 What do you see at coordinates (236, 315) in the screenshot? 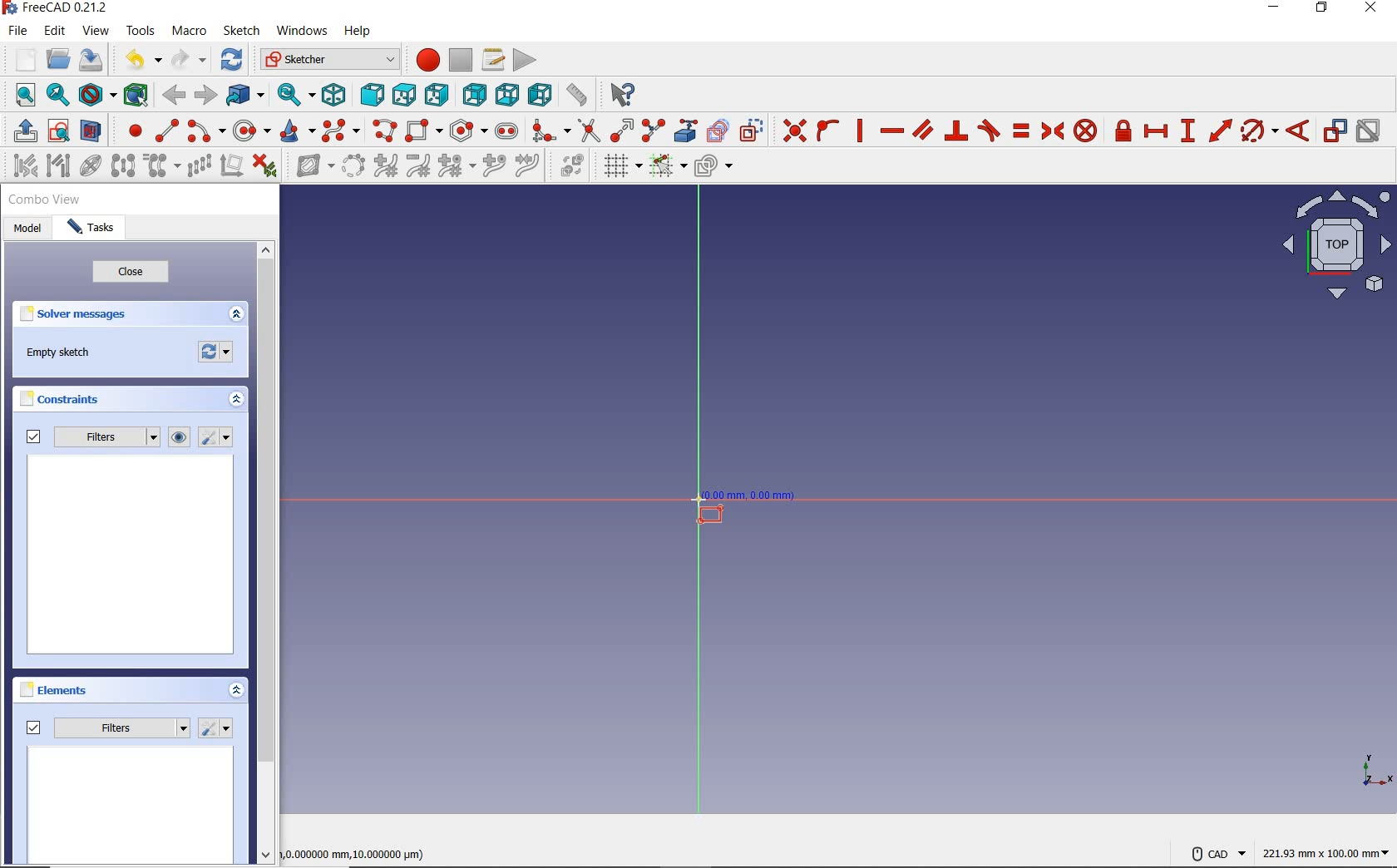
I see `expand` at bounding box center [236, 315].